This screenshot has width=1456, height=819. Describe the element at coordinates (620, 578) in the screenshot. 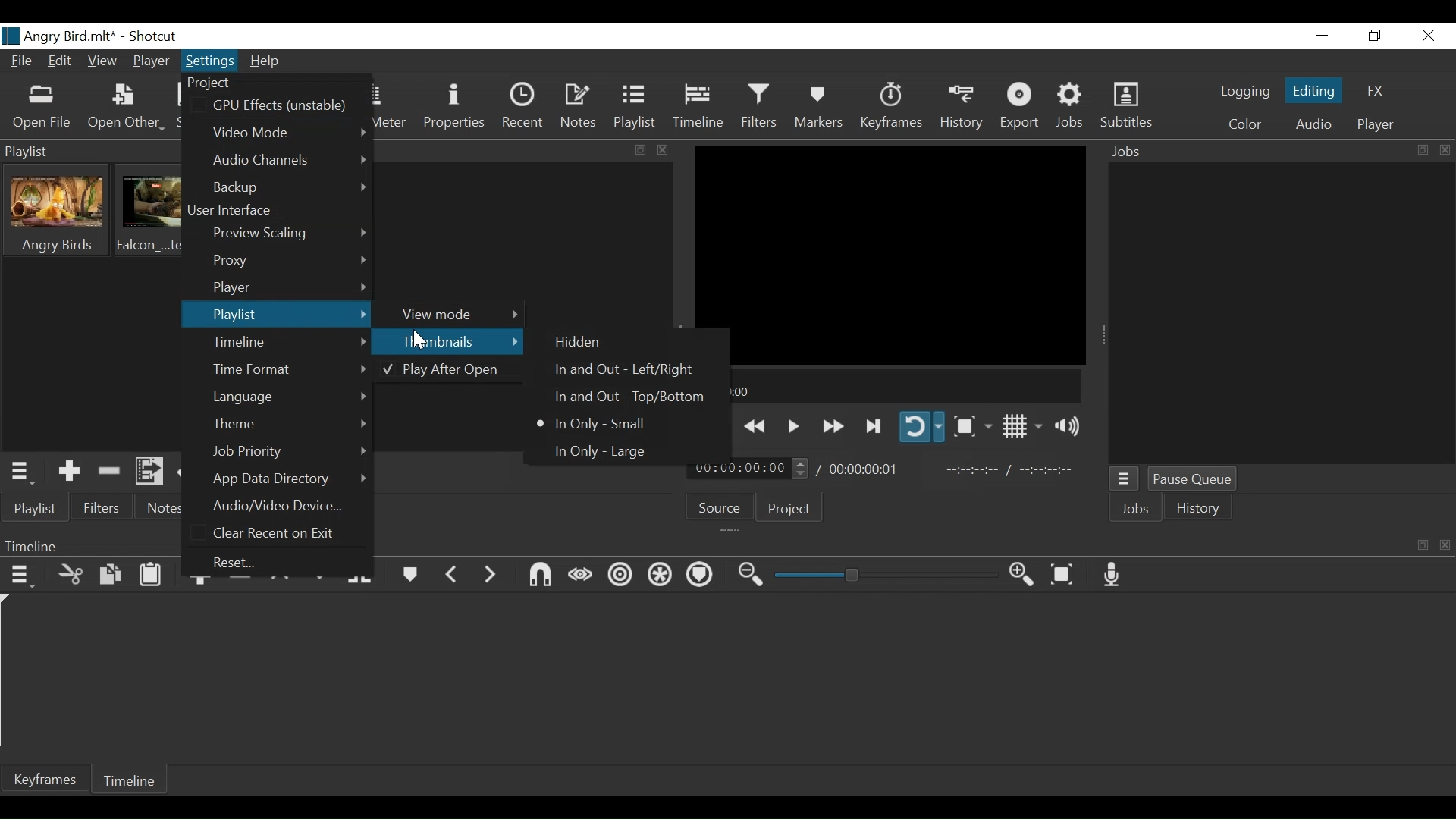

I see `Ripple ` at that location.